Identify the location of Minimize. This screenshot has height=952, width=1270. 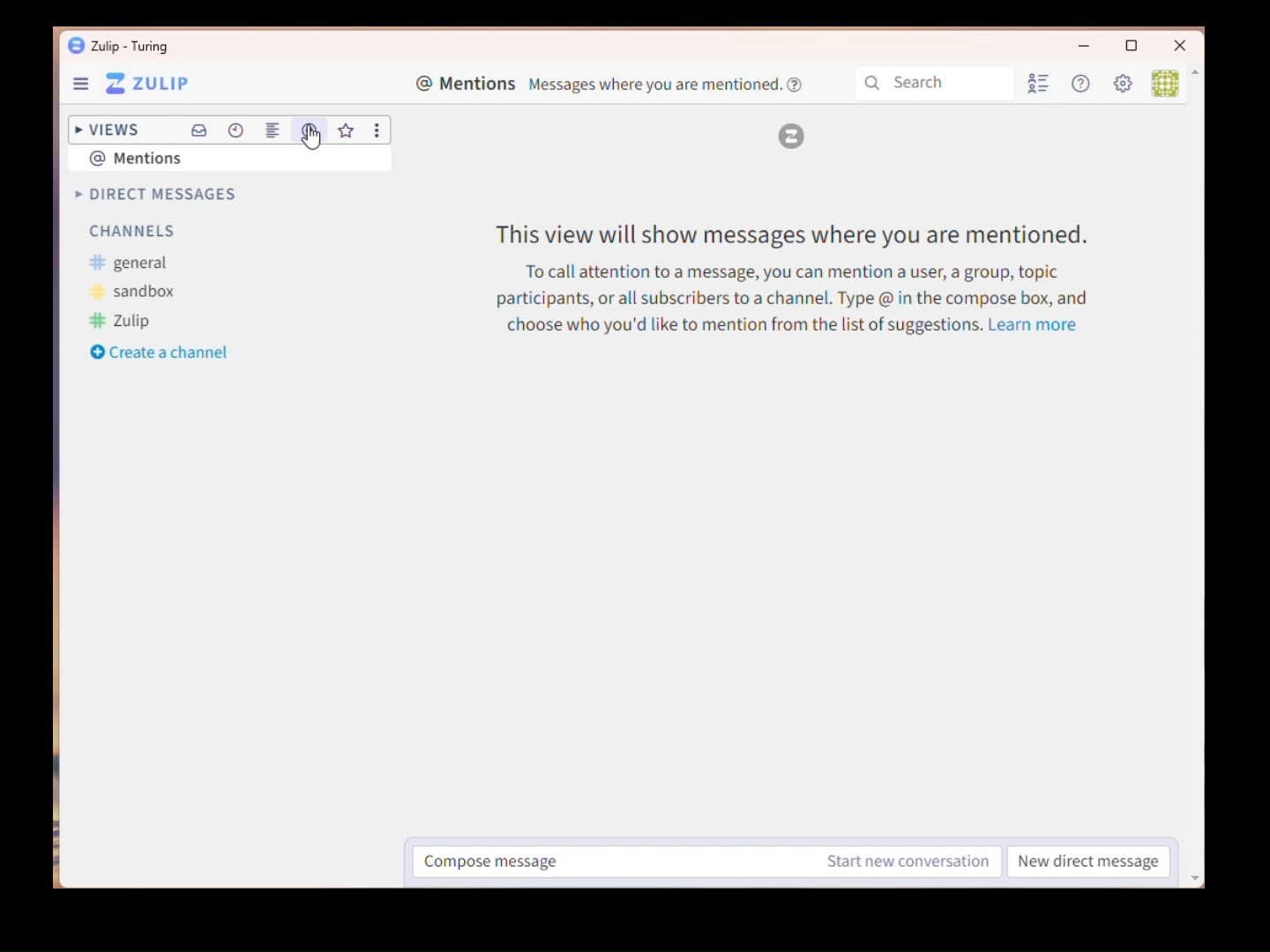
(1073, 48).